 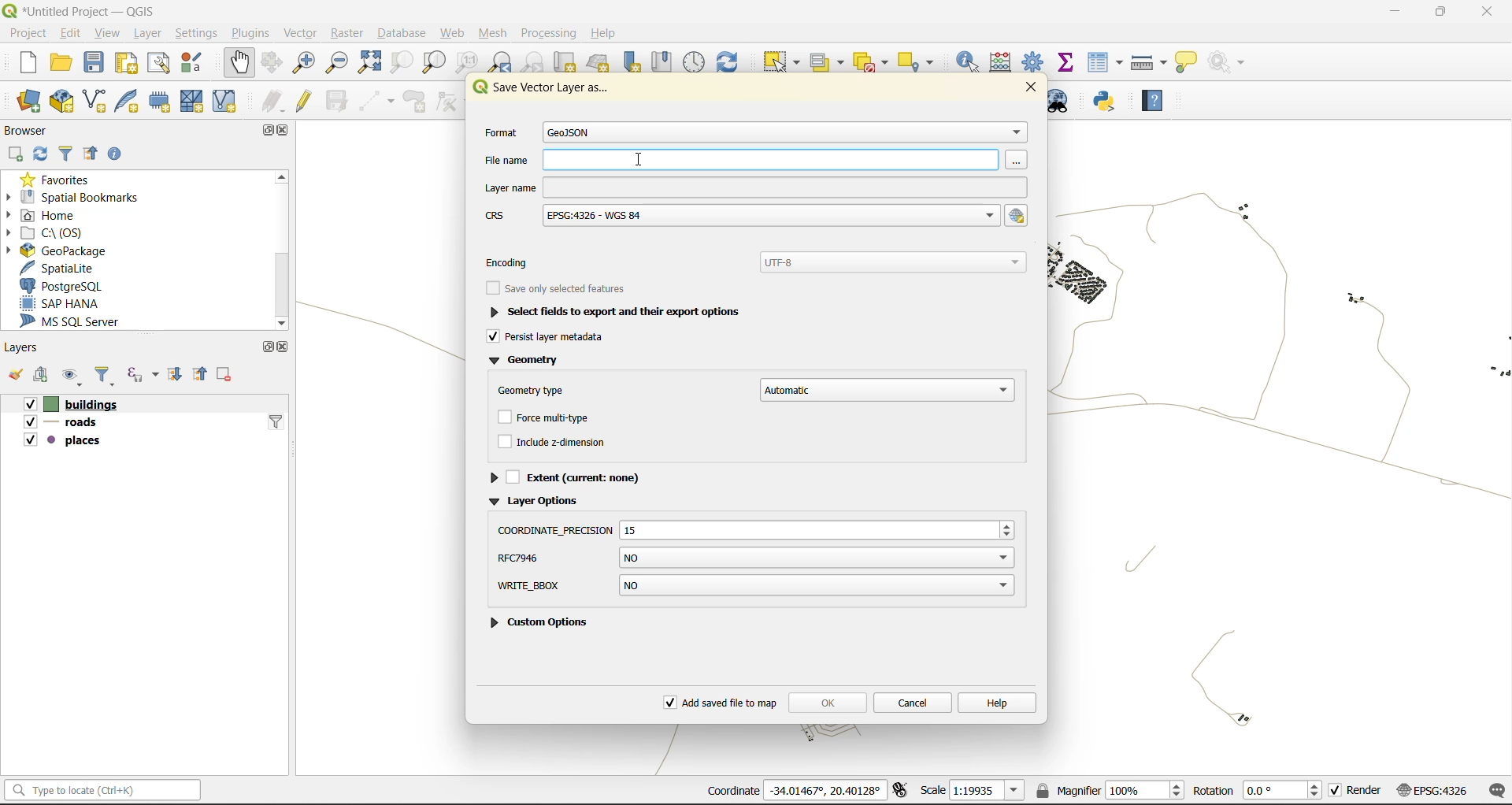 What do you see at coordinates (751, 133) in the screenshot?
I see `format` at bounding box center [751, 133].